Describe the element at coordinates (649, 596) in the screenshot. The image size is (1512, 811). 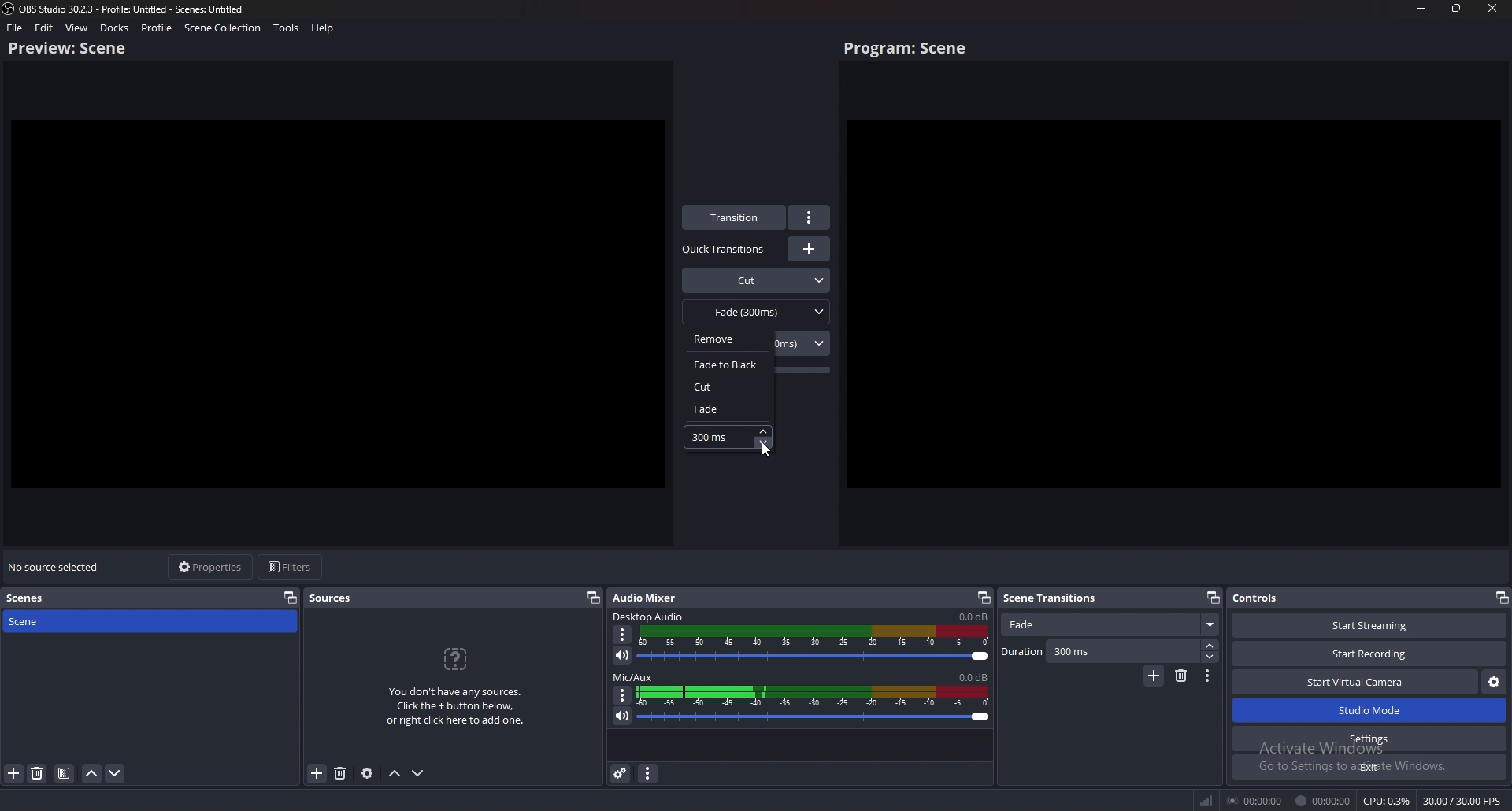
I see `Audio mixer` at that location.